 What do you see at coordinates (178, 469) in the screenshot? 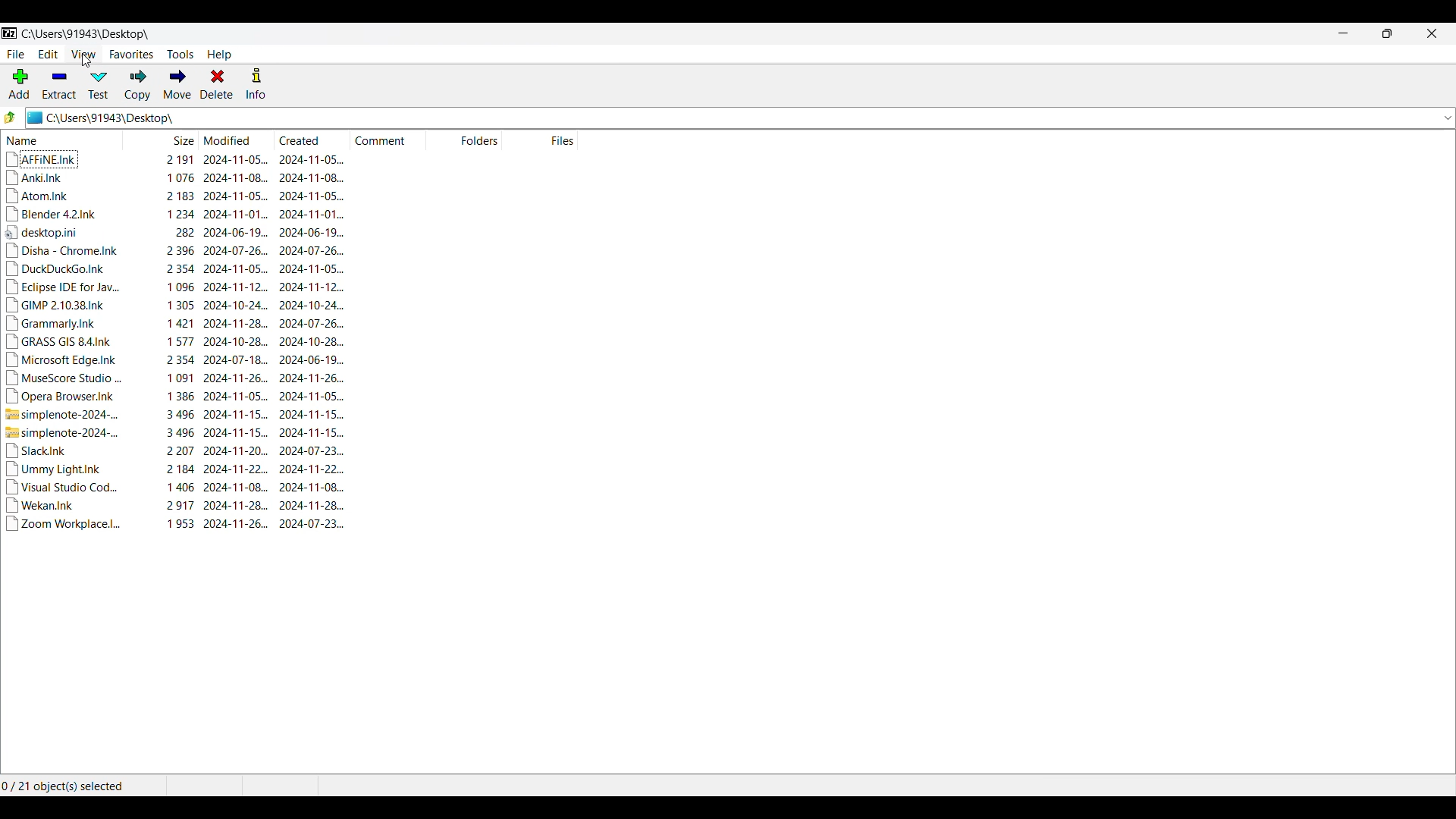
I see `Ummy Light.Ink 2184 2024-11-22... 2024-11-22...` at bounding box center [178, 469].